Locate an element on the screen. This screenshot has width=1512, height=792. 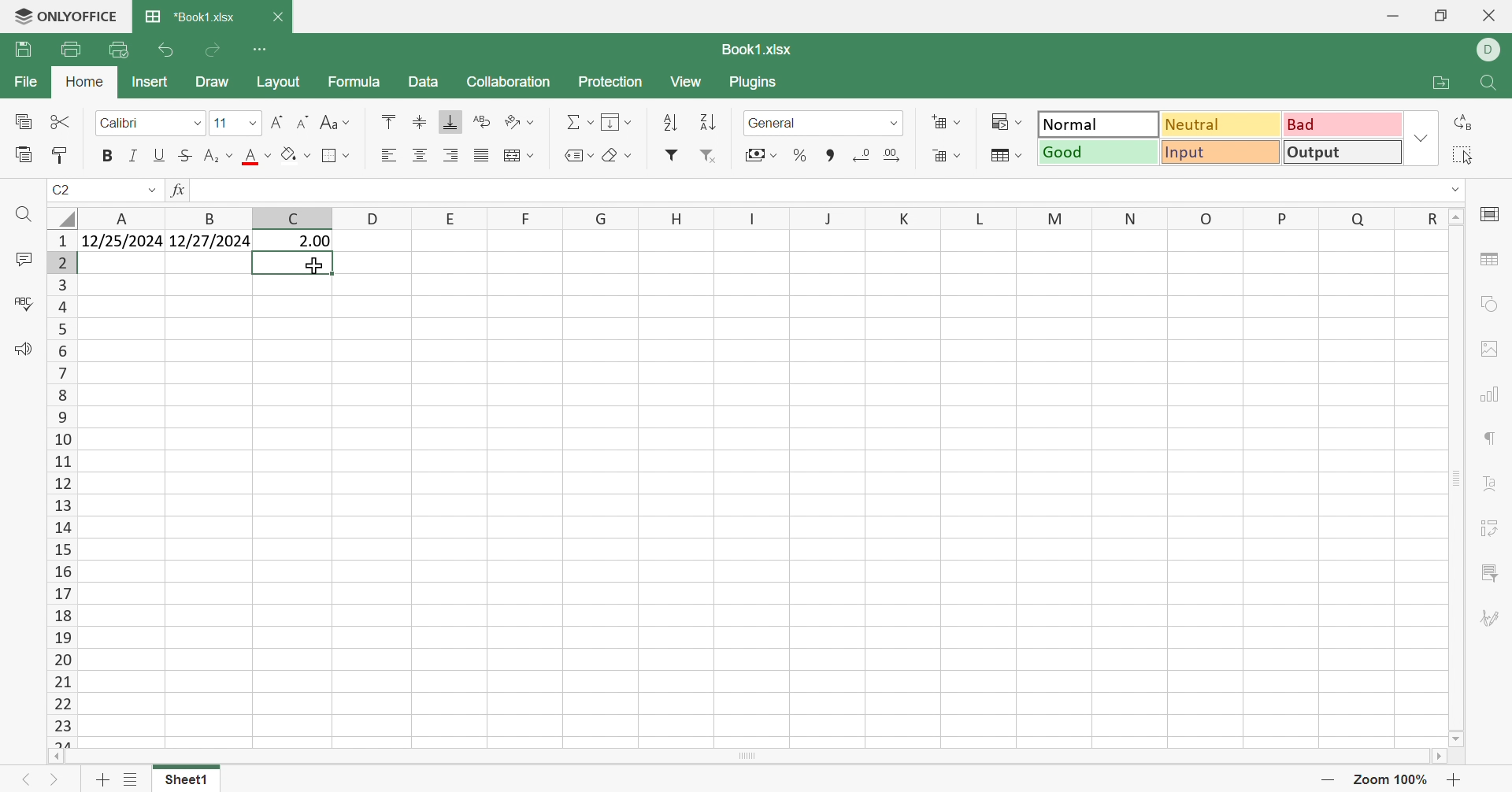
Cursor is located at coordinates (317, 266).